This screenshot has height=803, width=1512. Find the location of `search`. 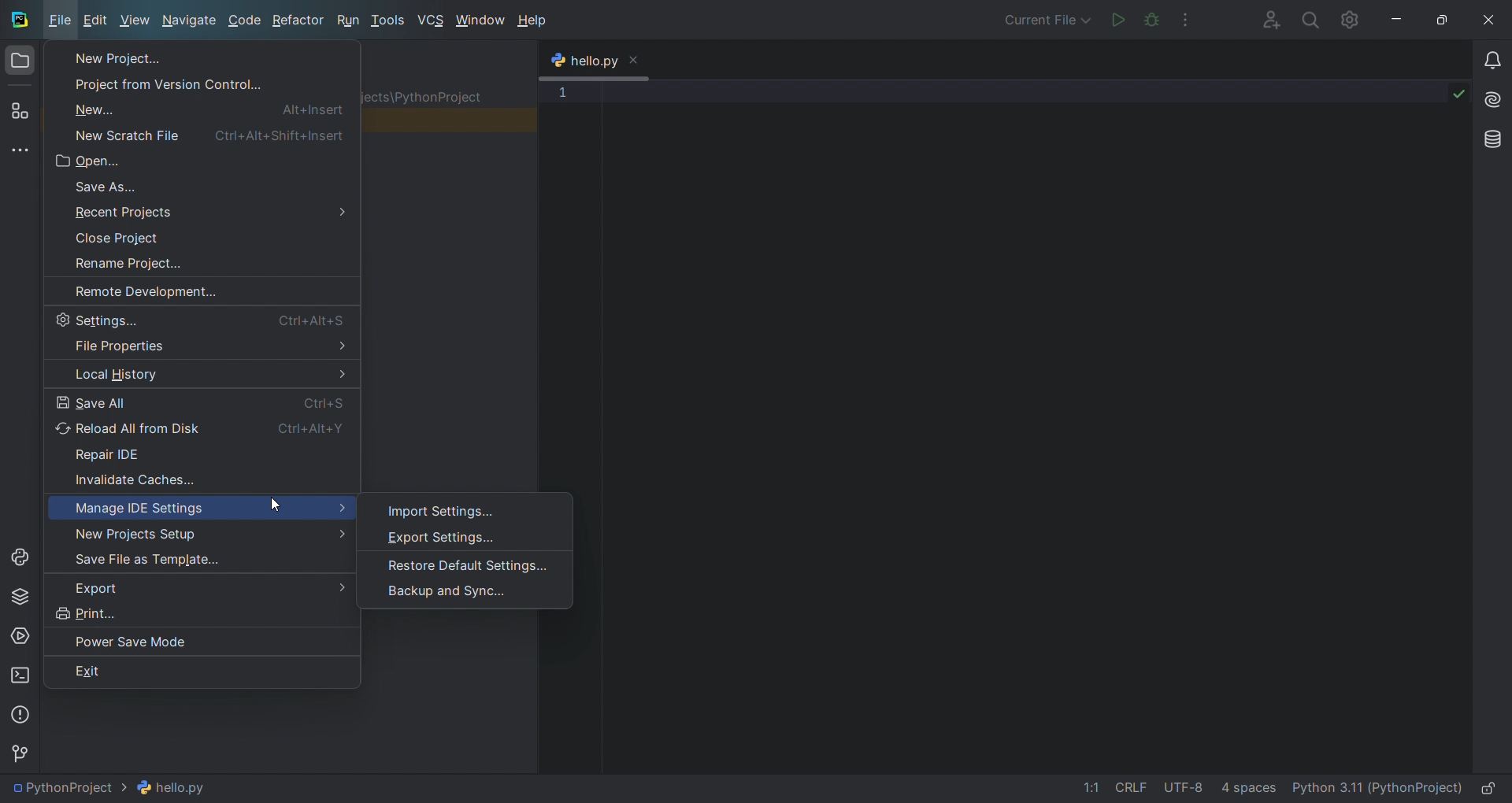

search is located at coordinates (1309, 19).